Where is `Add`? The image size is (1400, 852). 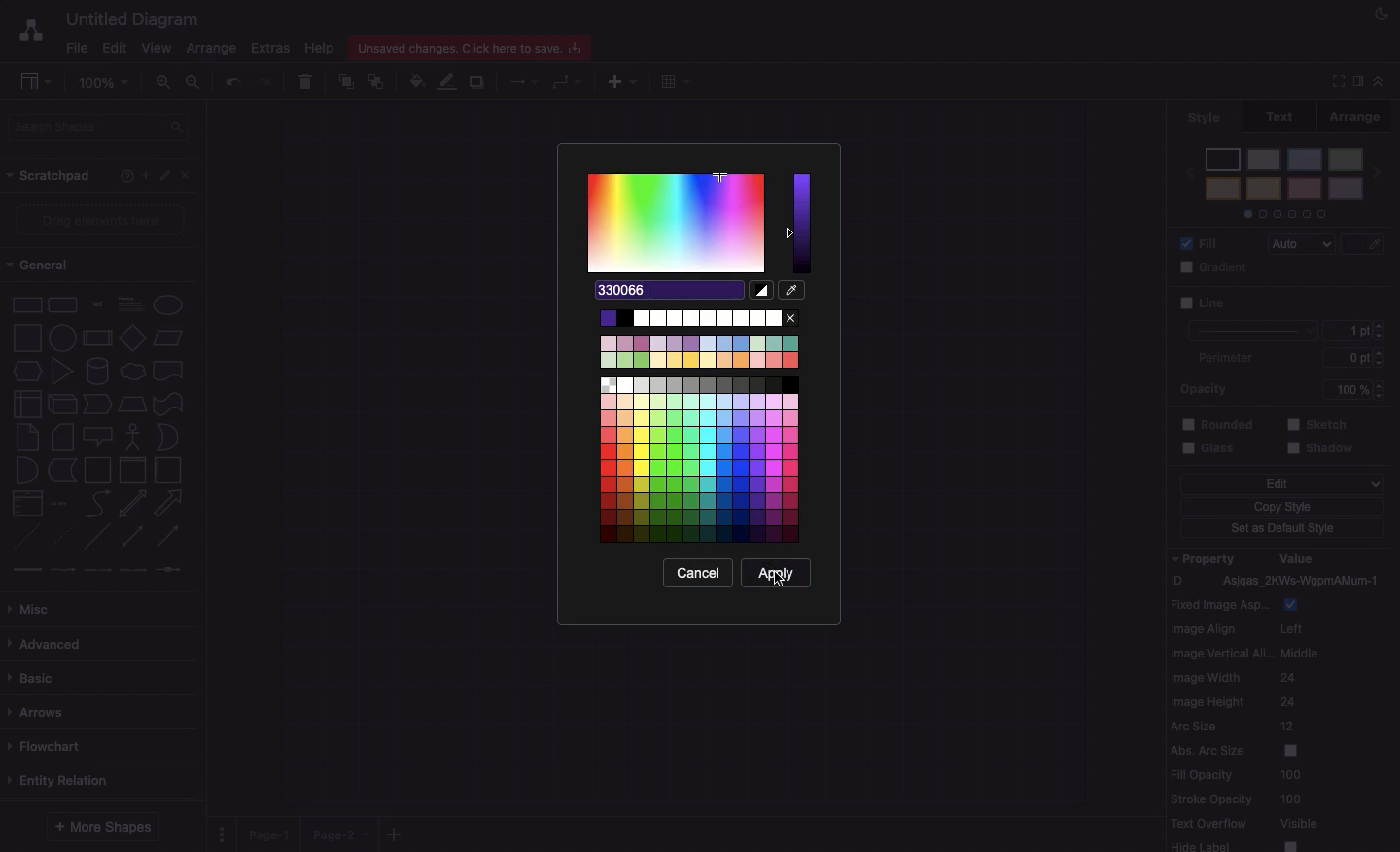
Add is located at coordinates (142, 175).